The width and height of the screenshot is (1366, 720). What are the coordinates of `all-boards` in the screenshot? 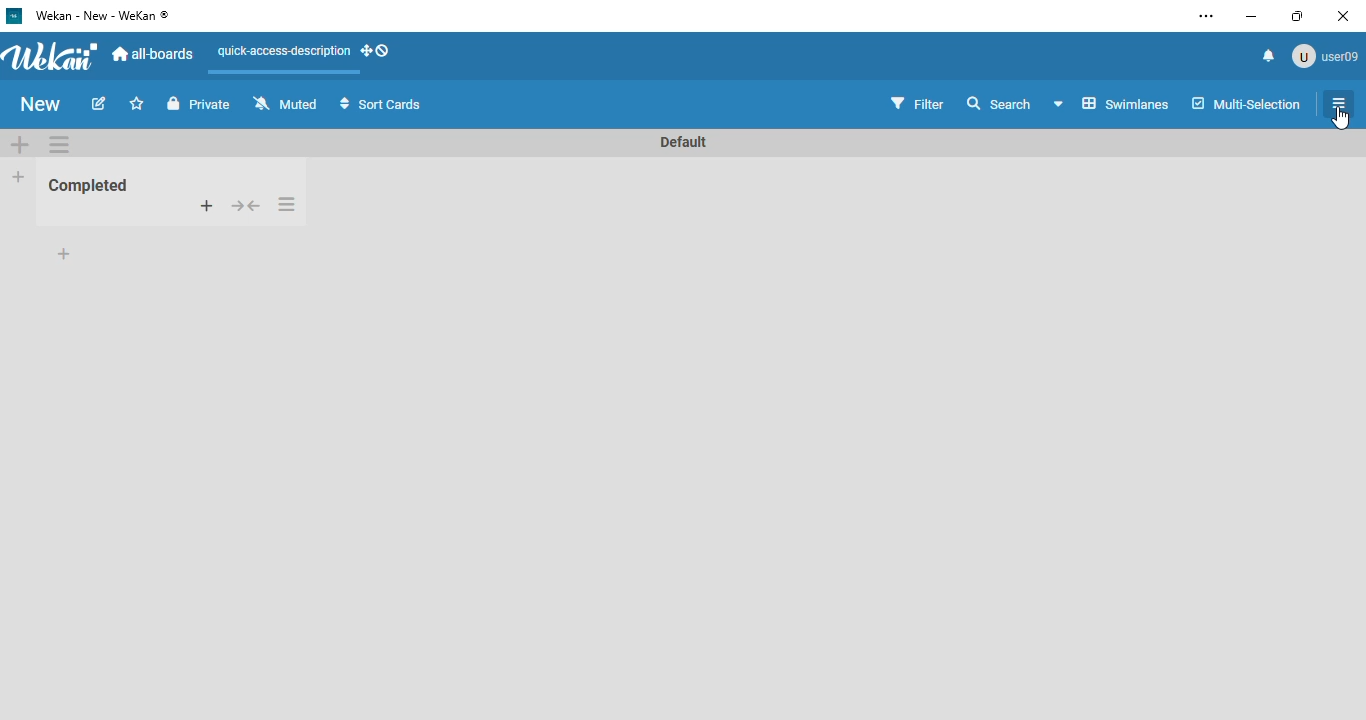 It's located at (156, 55).